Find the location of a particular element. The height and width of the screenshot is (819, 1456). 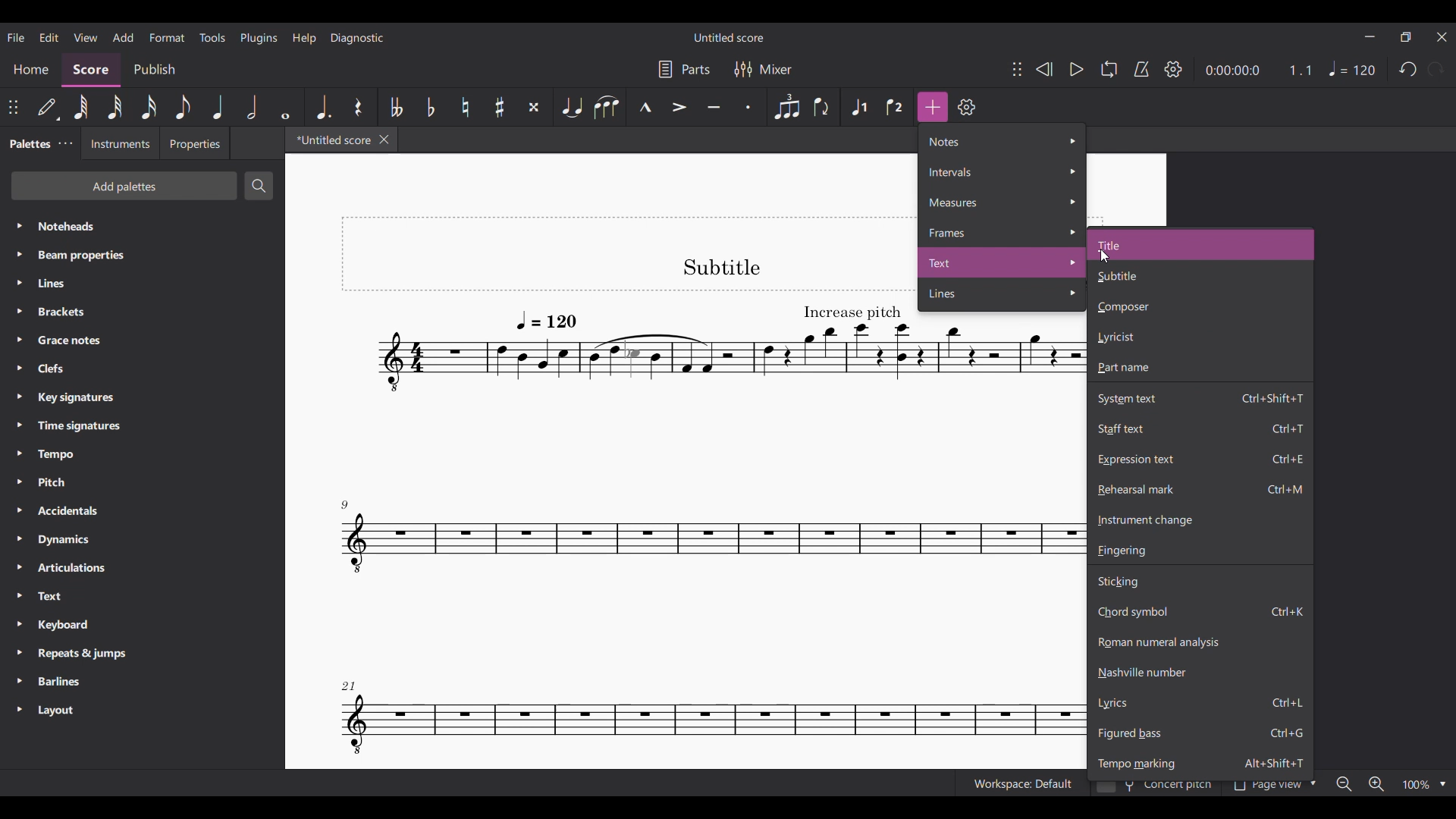

Key signatures is located at coordinates (143, 397).